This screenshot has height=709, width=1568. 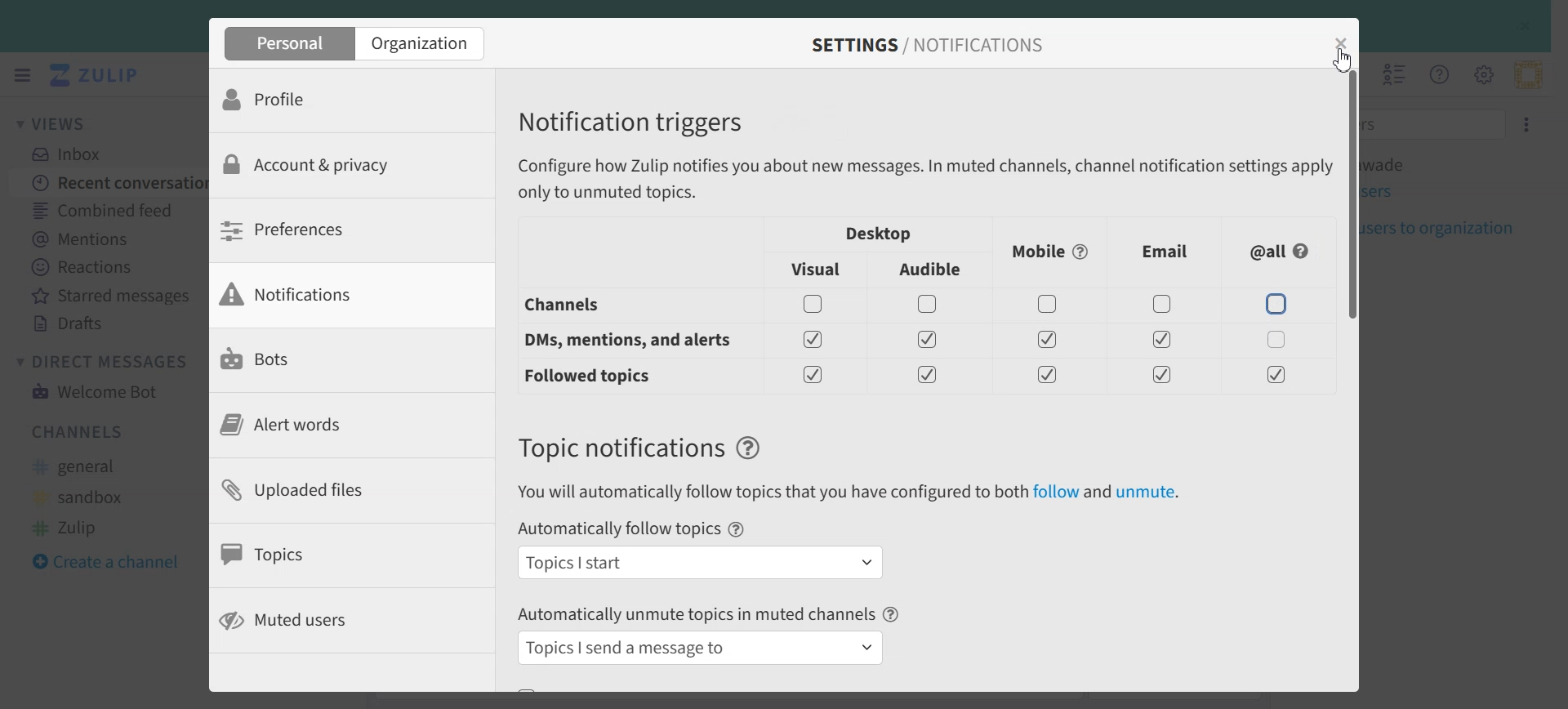 What do you see at coordinates (1352, 379) in the screenshot?
I see `Vertical scroll bar` at bounding box center [1352, 379].